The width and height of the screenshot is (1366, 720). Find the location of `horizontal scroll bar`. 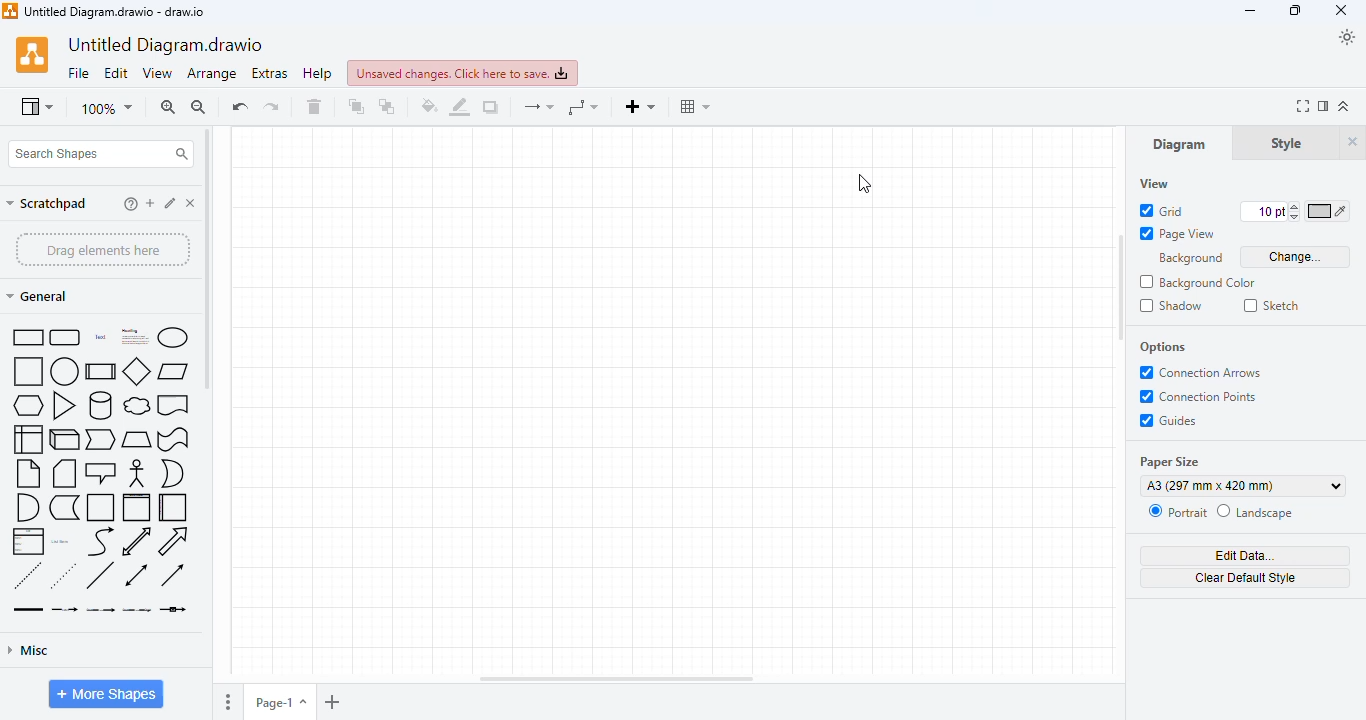

horizontal scroll bar is located at coordinates (616, 679).